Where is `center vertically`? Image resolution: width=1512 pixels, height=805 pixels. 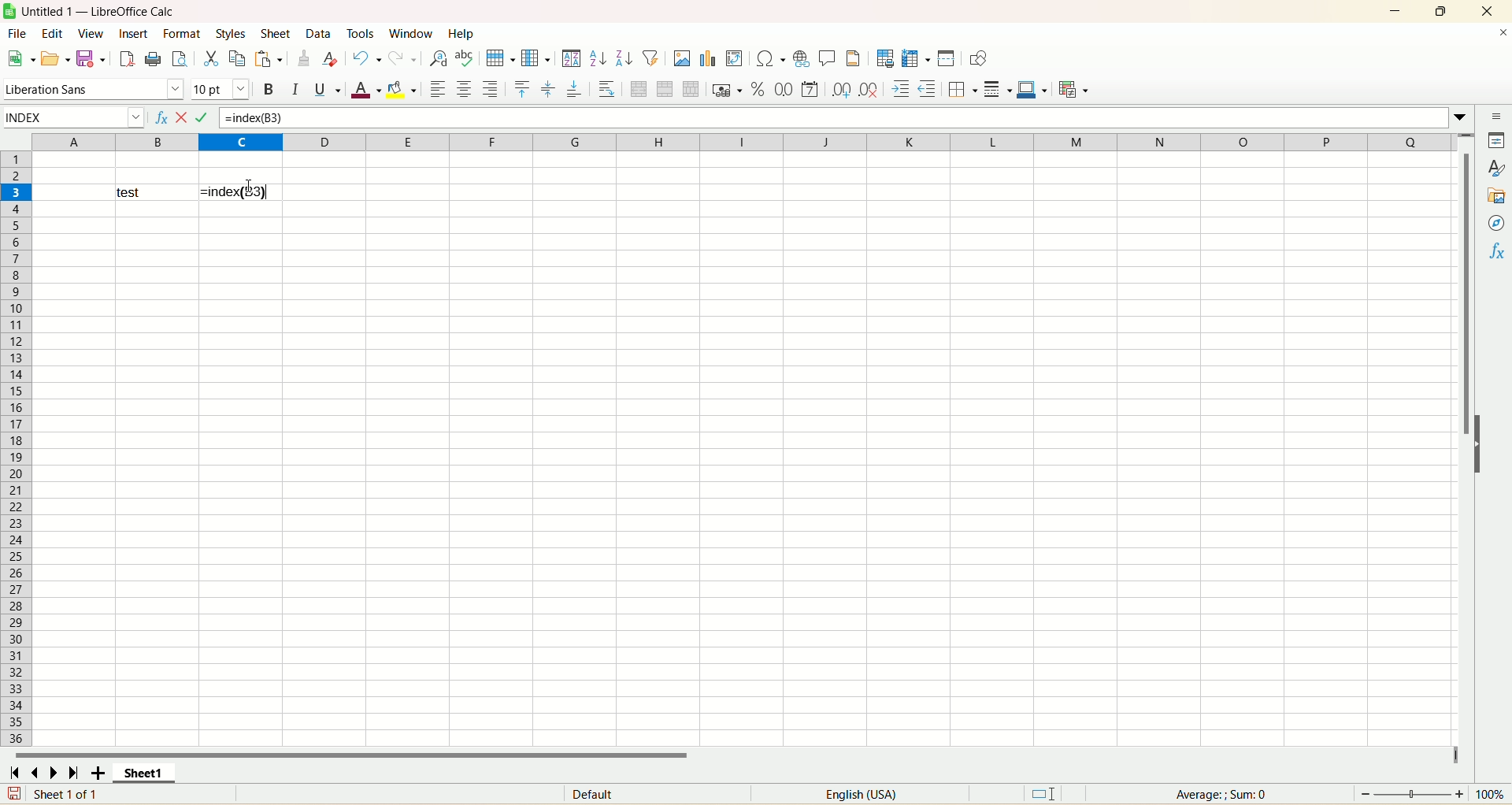
center vertically is located at coordinates (548, 89).